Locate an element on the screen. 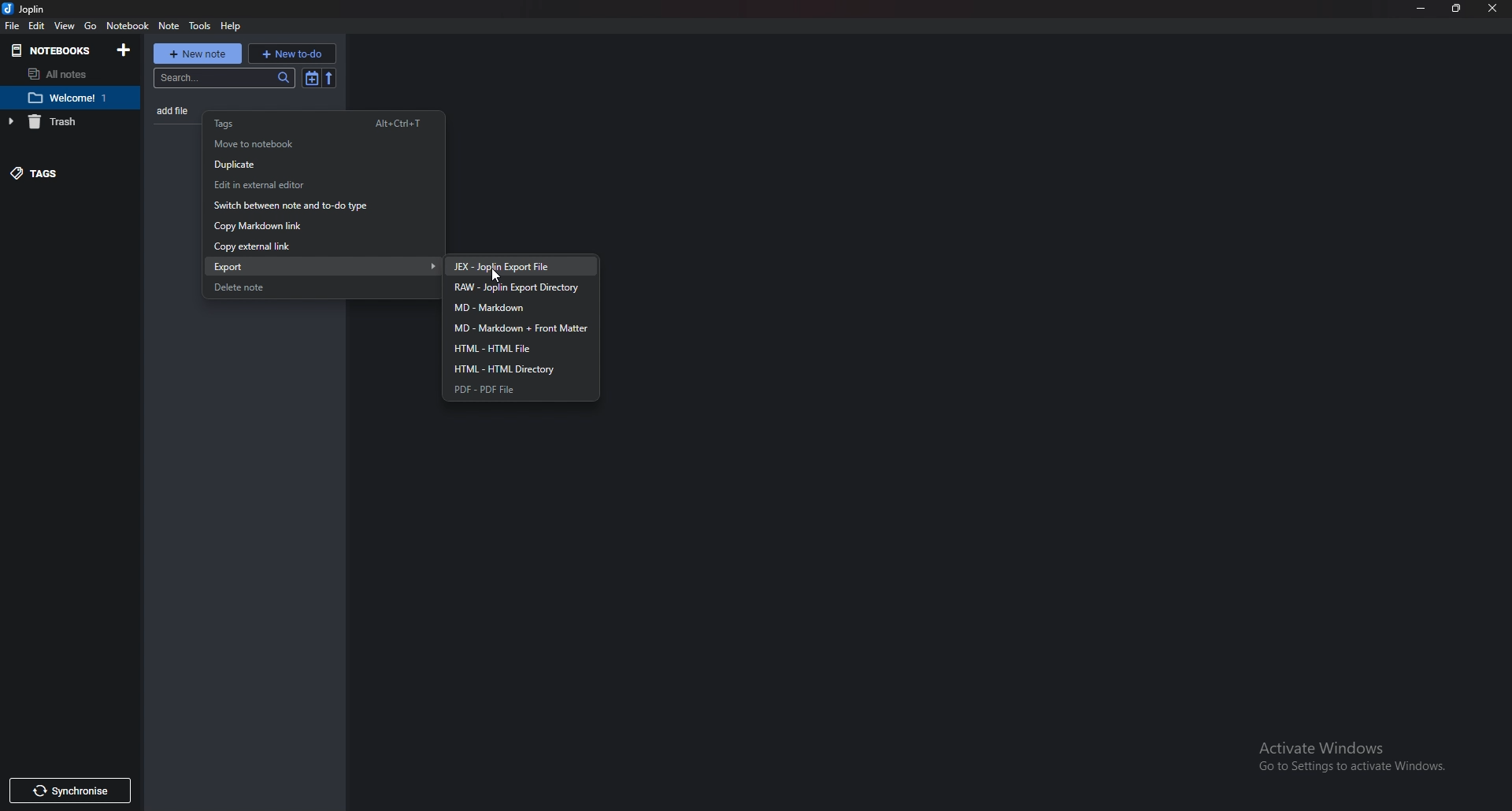 The width and height of the screenshot is (1512, 811). Edit is located at coordinates (38, 27).